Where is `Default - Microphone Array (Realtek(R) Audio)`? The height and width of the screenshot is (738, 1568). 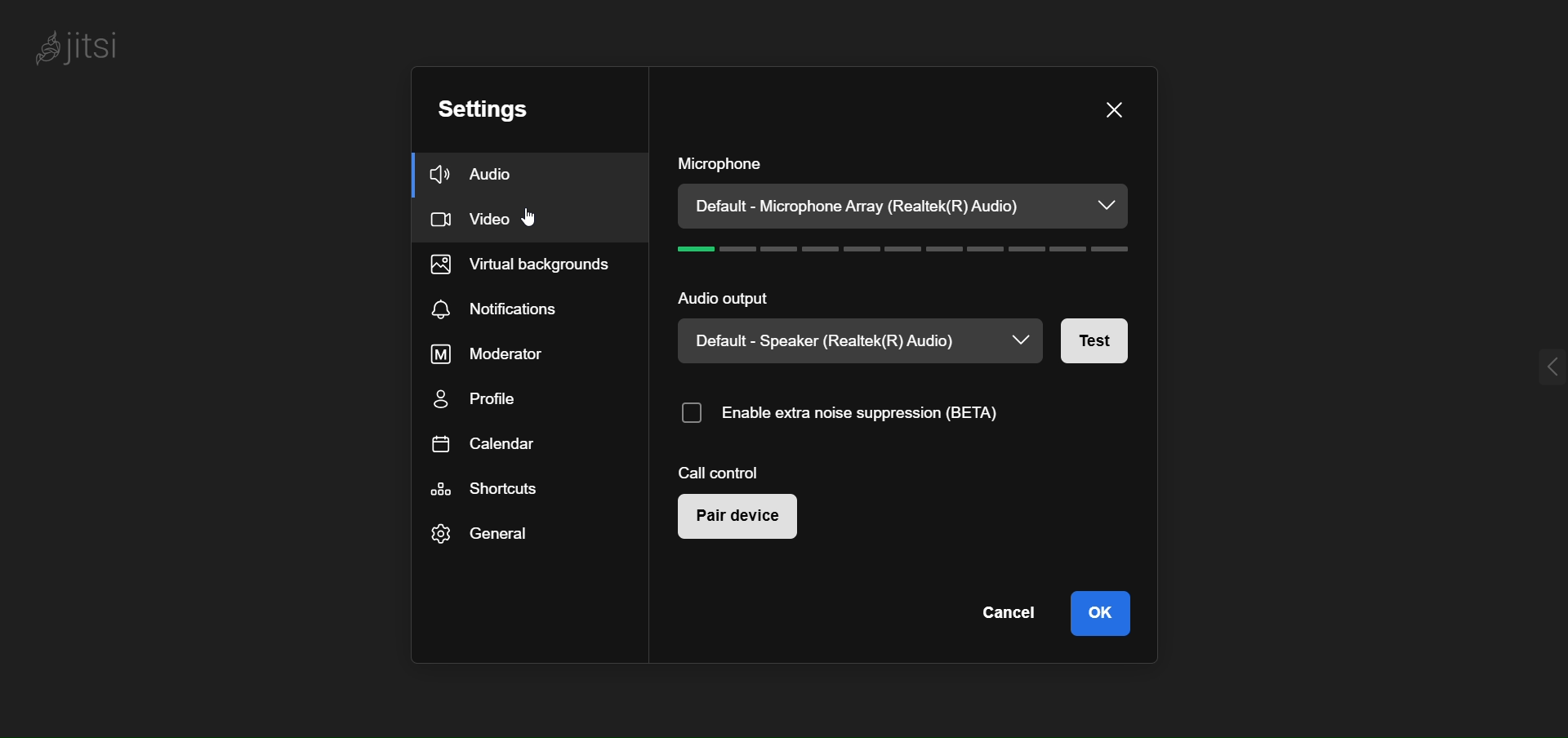
Default - Microphone Array (Realtek(R) Audio) is located at coordinates (853, 207).